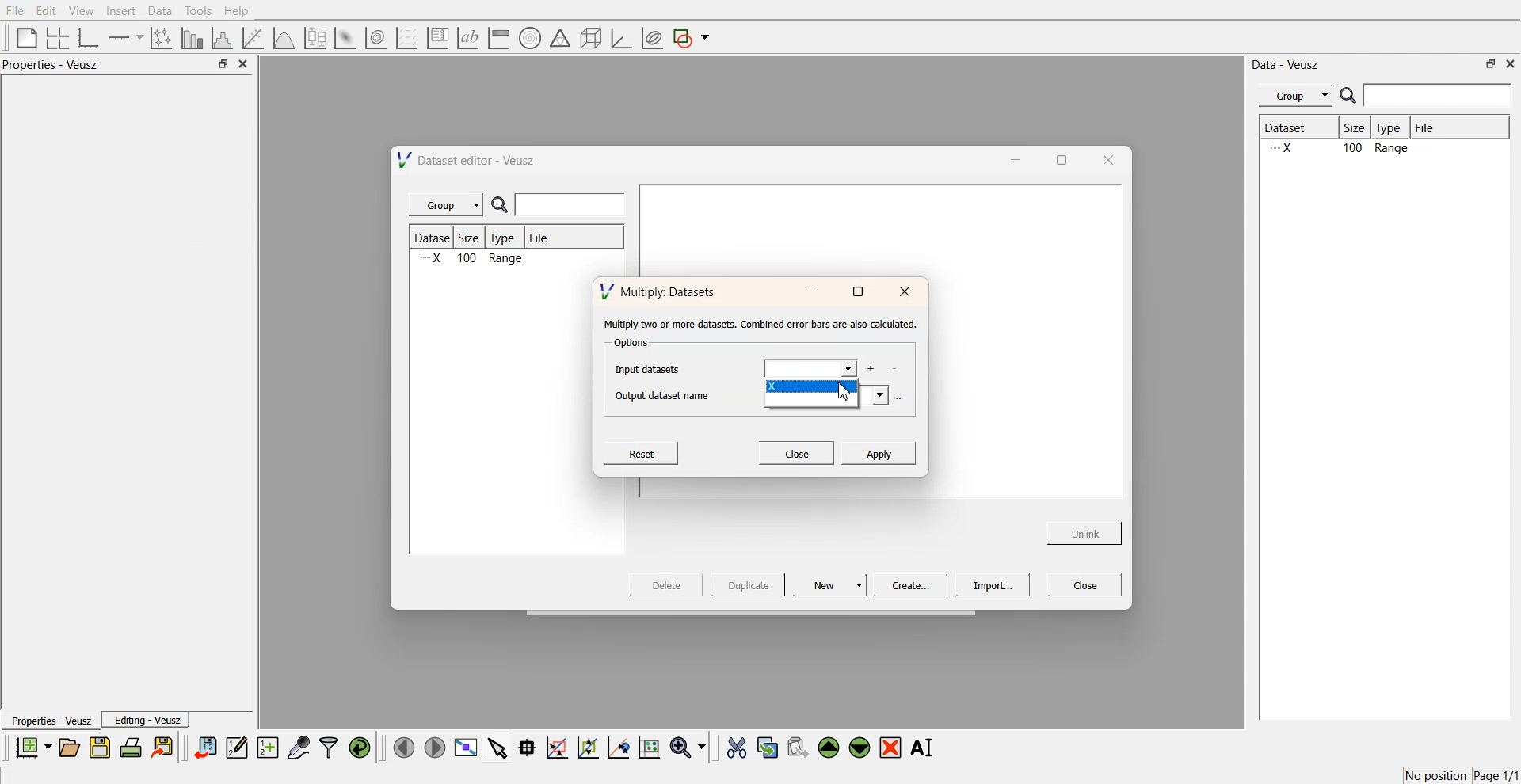  I want to click on fit a function, so click(254, 36).